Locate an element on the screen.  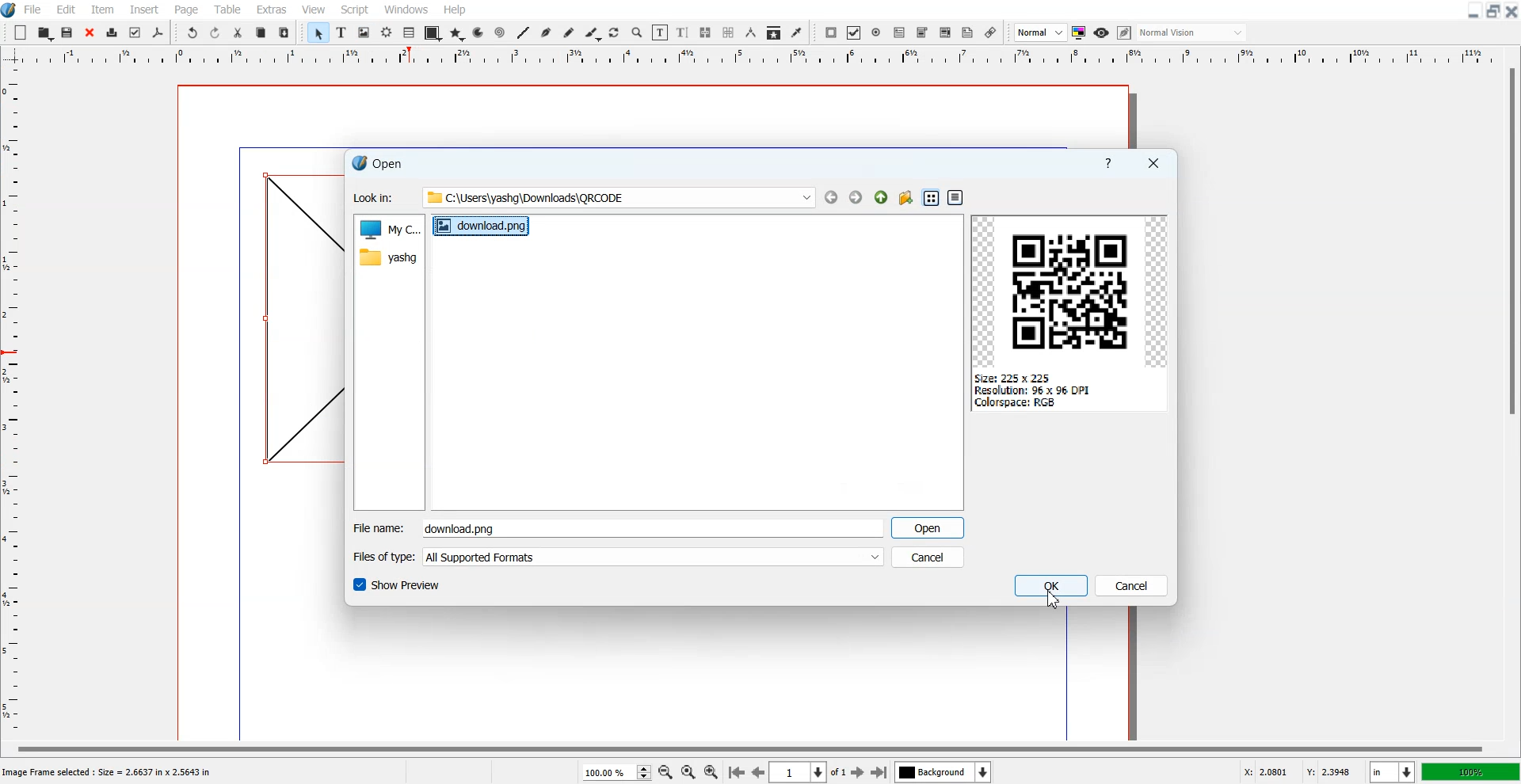
Shape is located at coordinates (432, 34).